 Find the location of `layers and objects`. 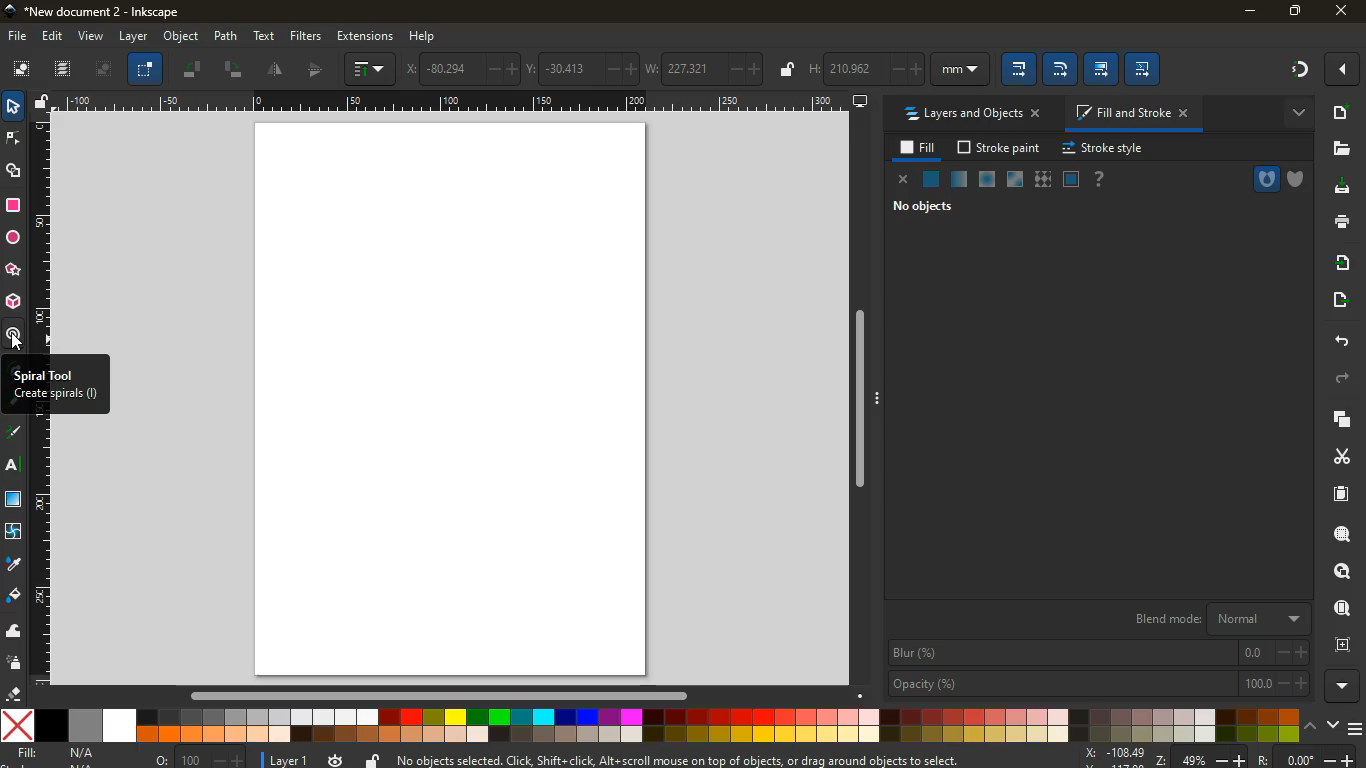

layers and objects is located at coordinates (970, 114).